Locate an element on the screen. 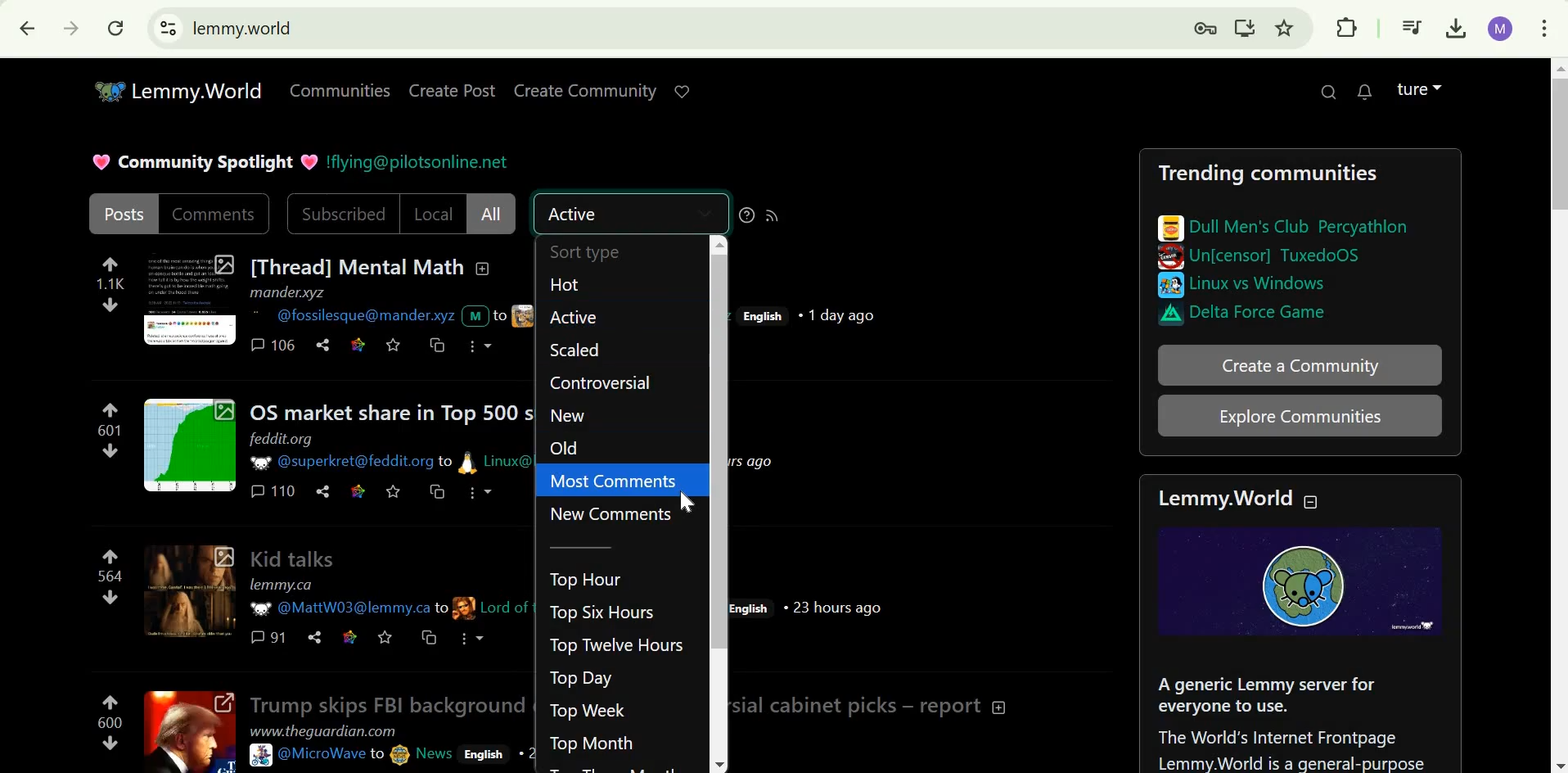 This screenshot has width=1568, height=773. save is located at coordinates (390, 490).